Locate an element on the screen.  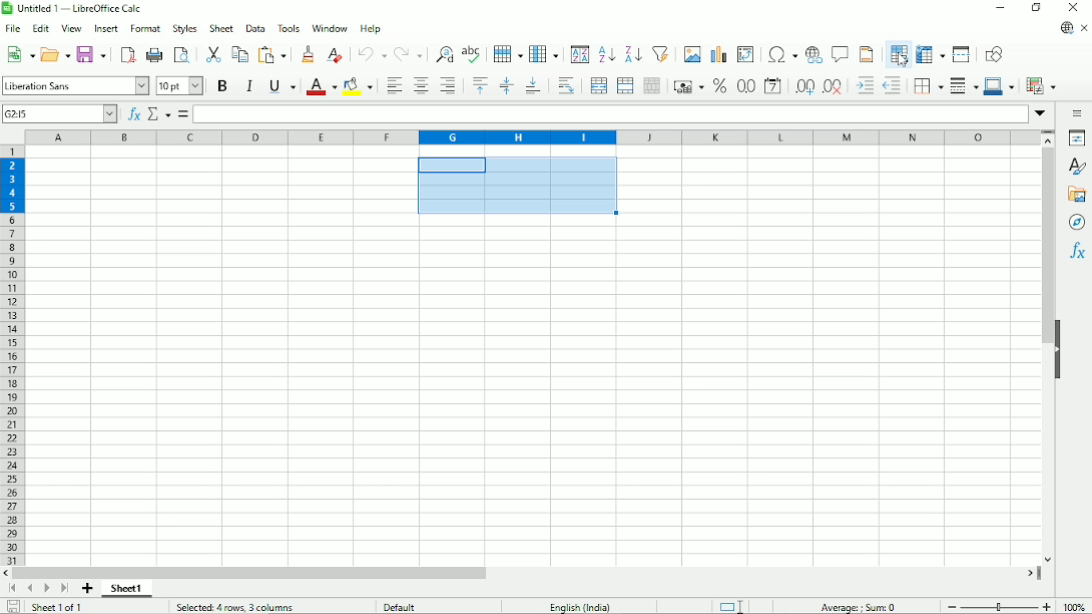
Column is located at coordinates (545, 53).